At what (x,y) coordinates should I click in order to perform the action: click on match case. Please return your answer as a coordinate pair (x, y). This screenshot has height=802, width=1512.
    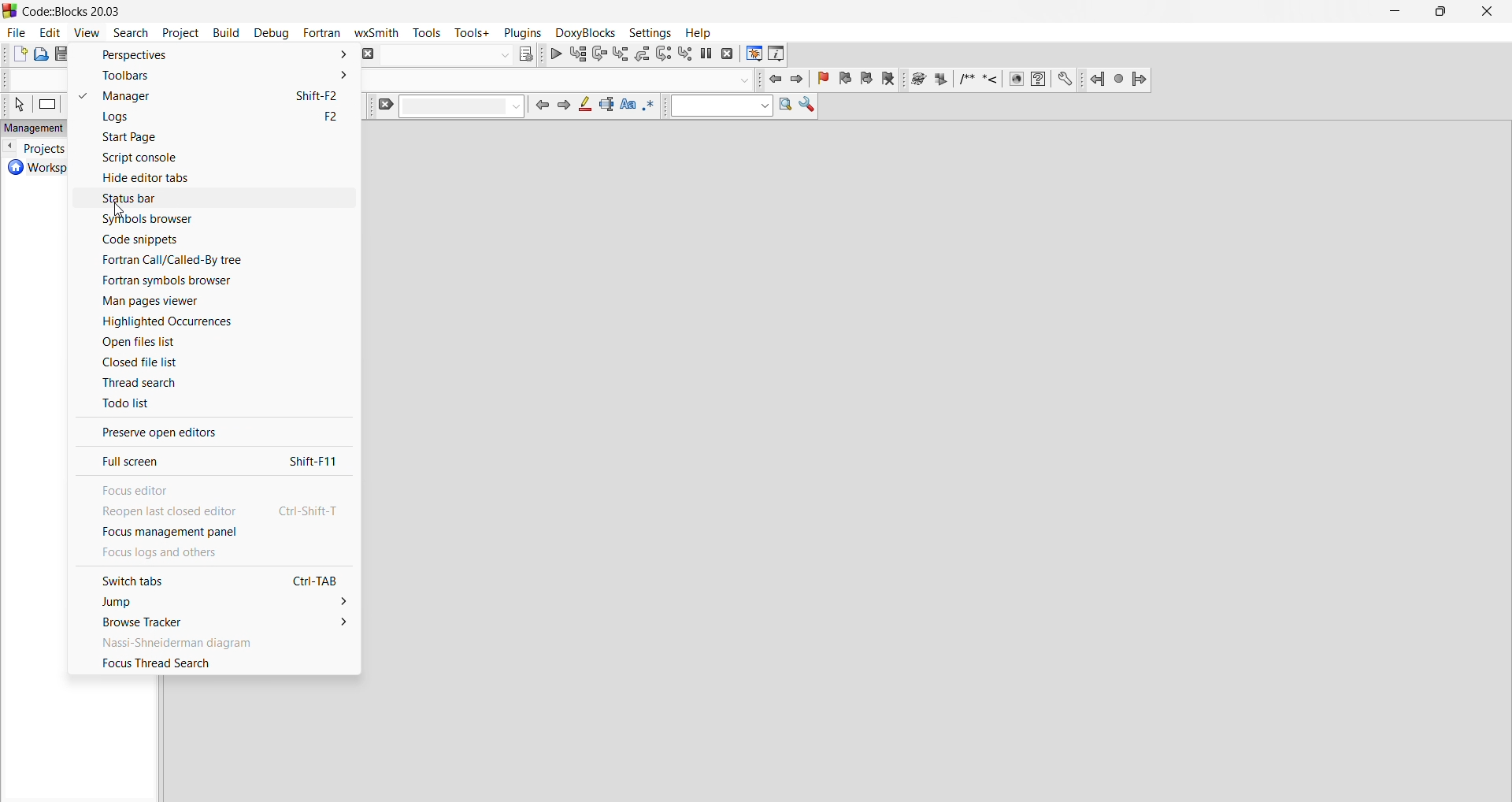
    Looking at the image, I should click on (628, 109).